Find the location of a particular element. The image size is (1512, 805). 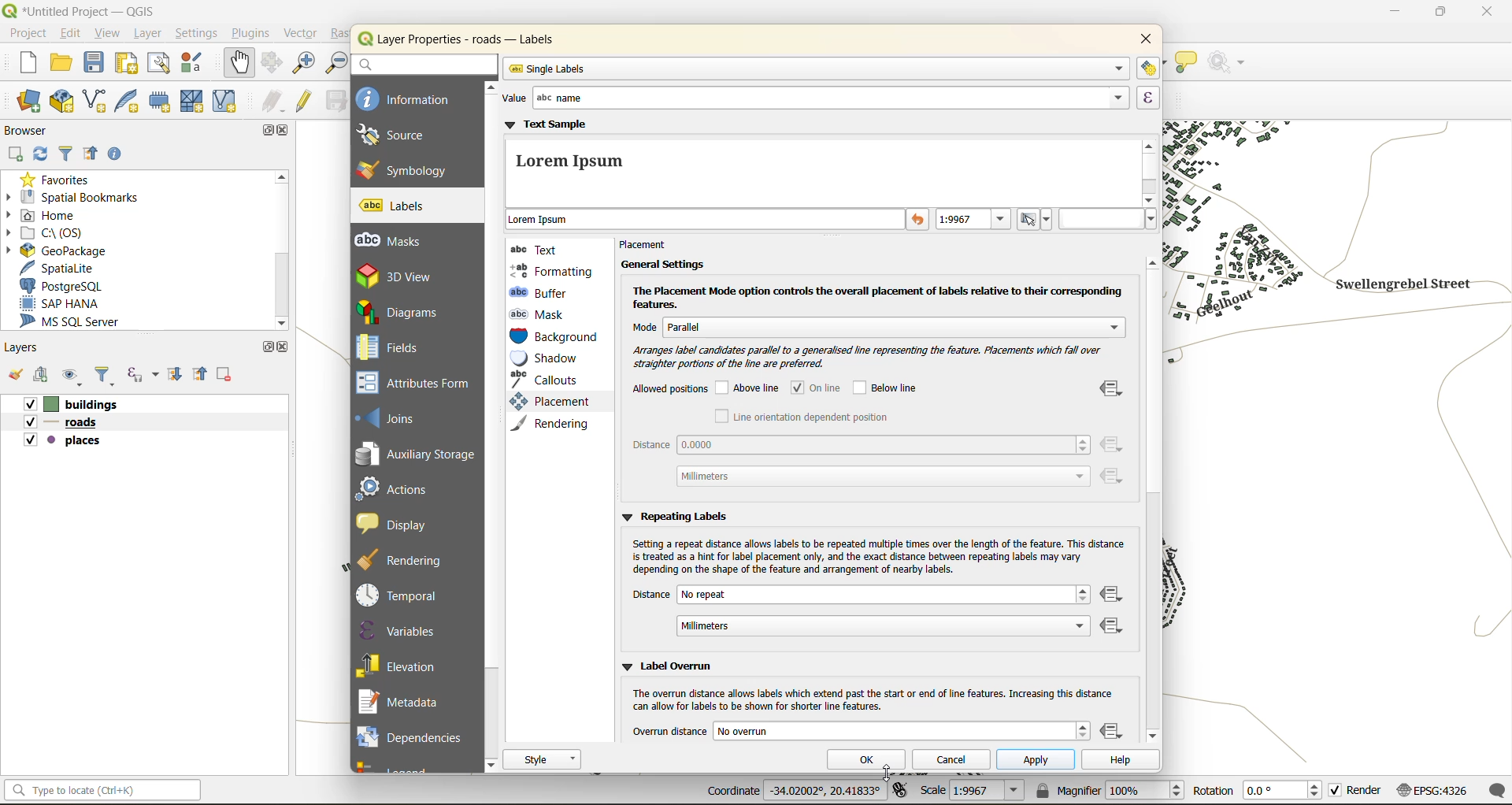

3d view is located at coordinates (408, 276).